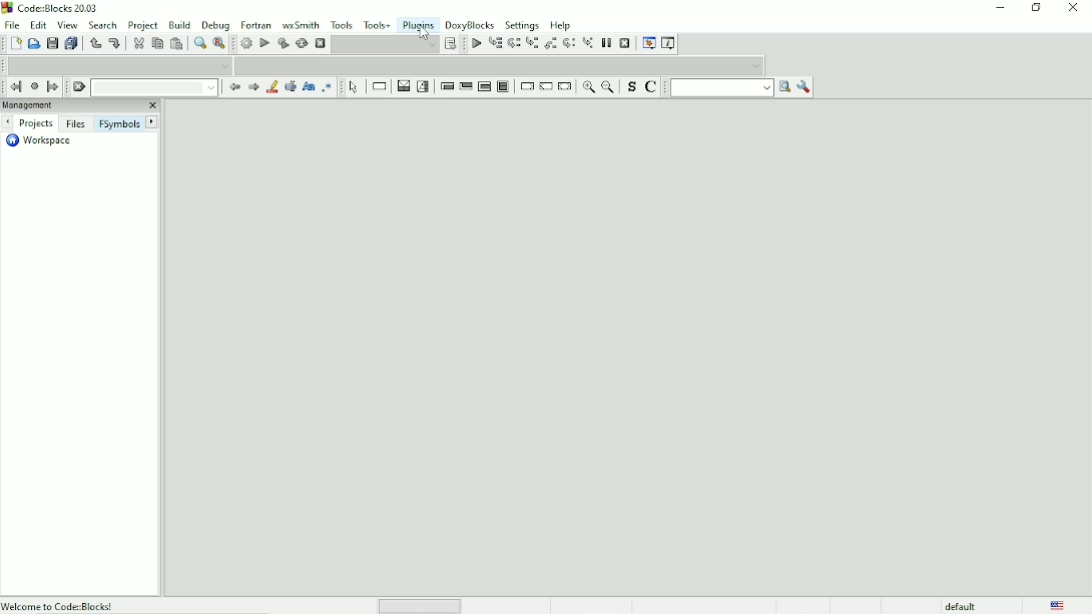  What do you see at coordinates (246, 43) in the screenshot?
I see `Build` at bounding box center [246, 43].